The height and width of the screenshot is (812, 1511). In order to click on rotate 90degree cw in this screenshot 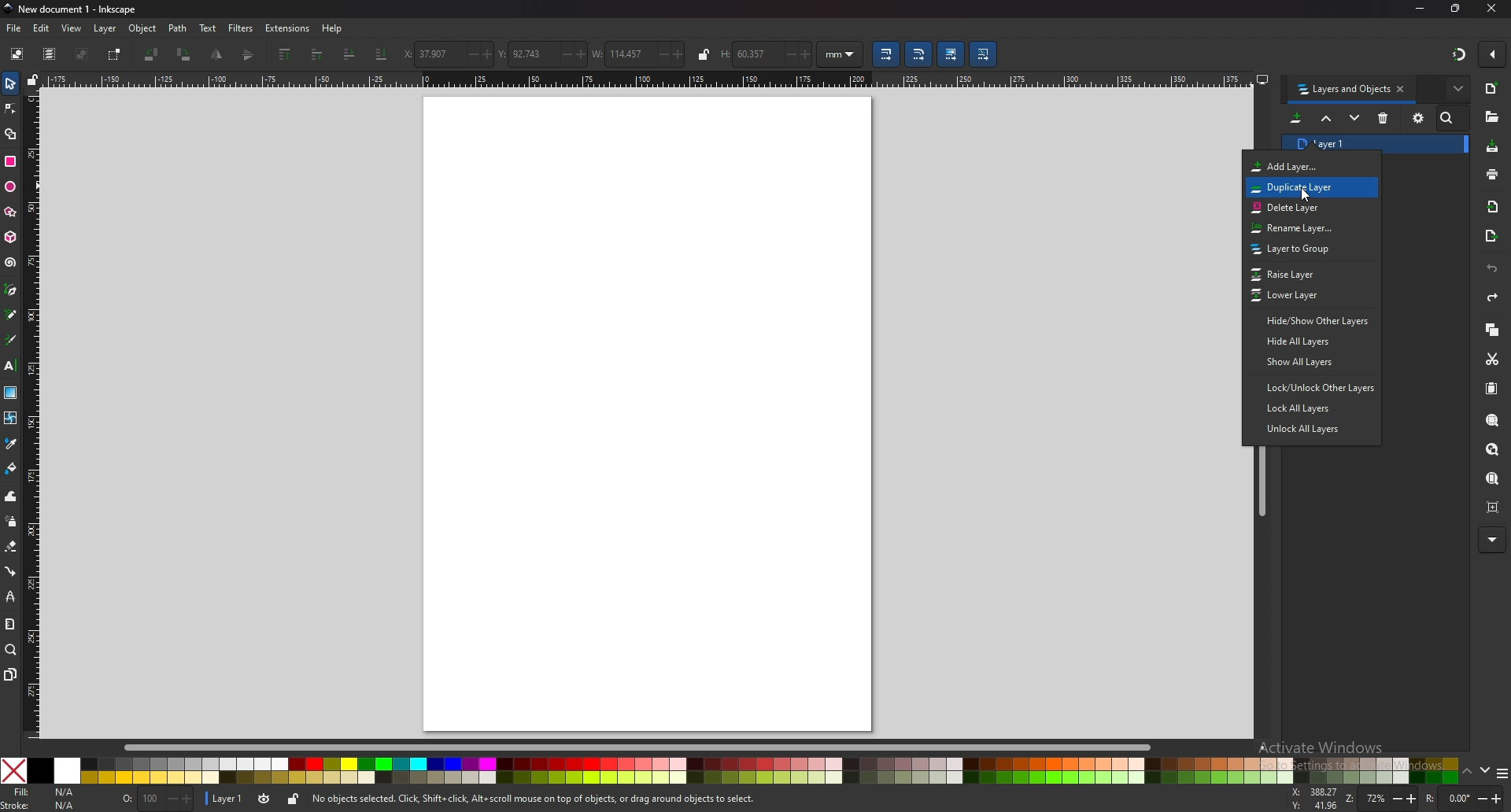, I will do `click(185, 54)`.